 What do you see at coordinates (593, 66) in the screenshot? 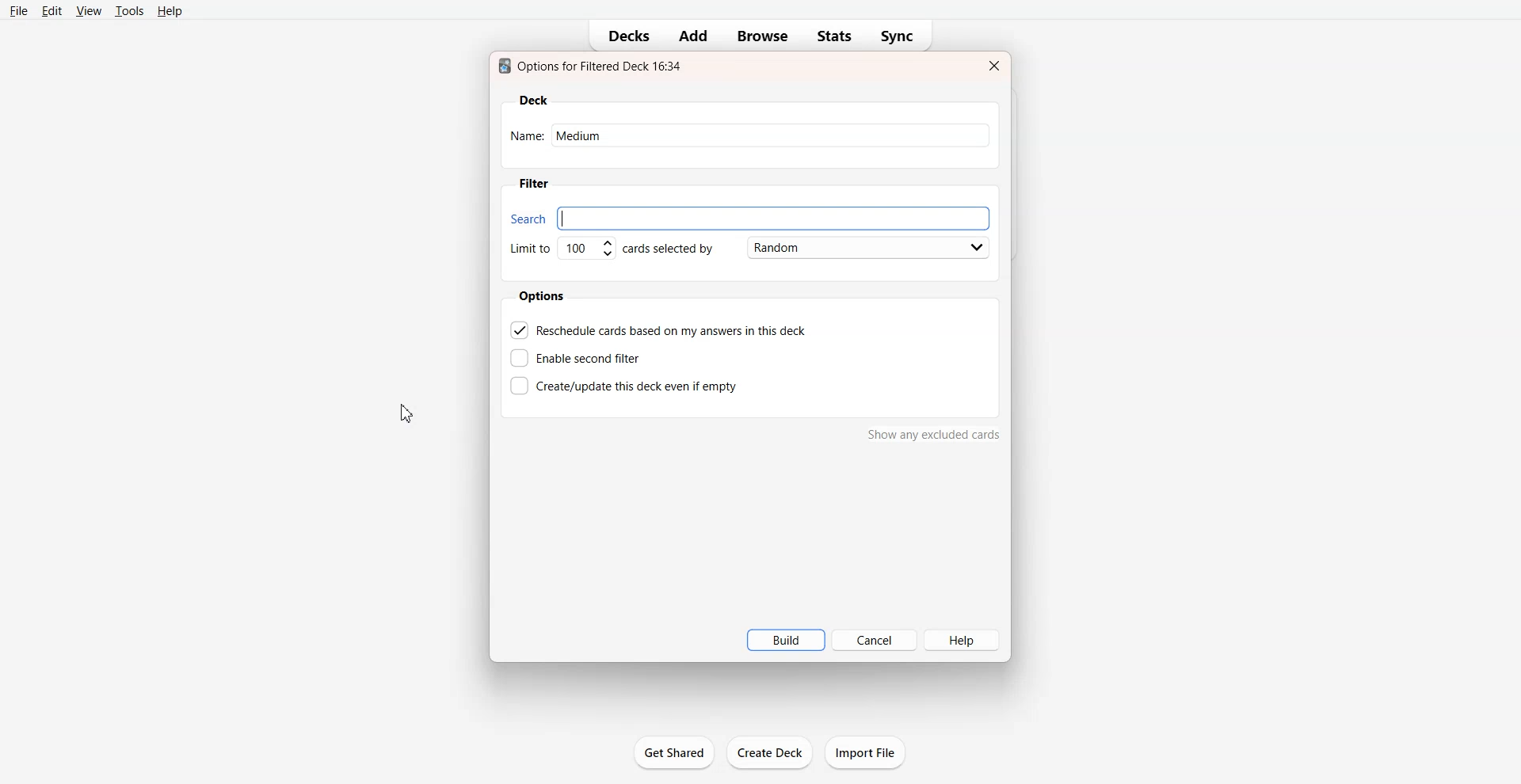
I see `Text` at bounding box center [593, 66].